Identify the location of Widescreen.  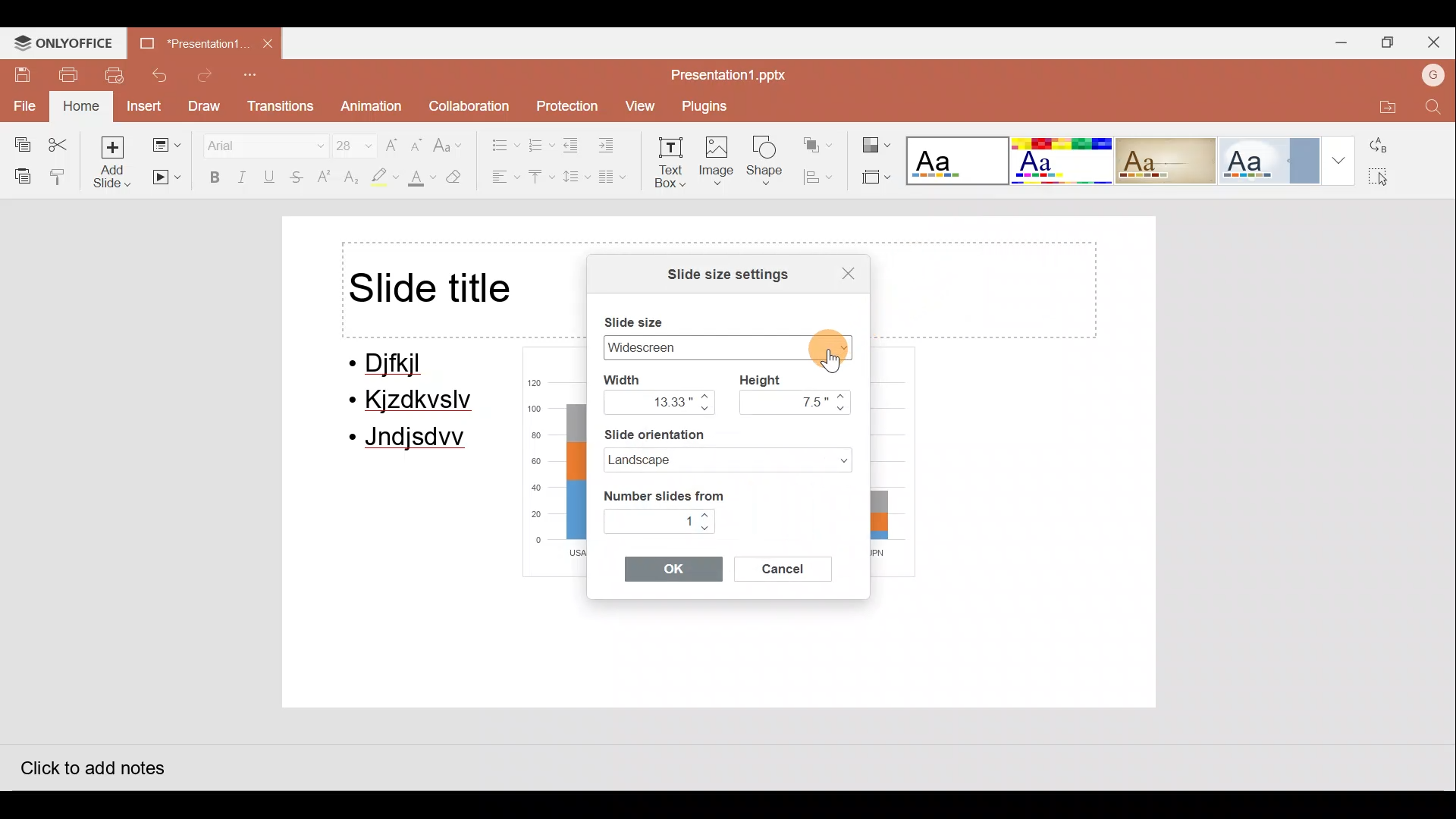
(679, 347).